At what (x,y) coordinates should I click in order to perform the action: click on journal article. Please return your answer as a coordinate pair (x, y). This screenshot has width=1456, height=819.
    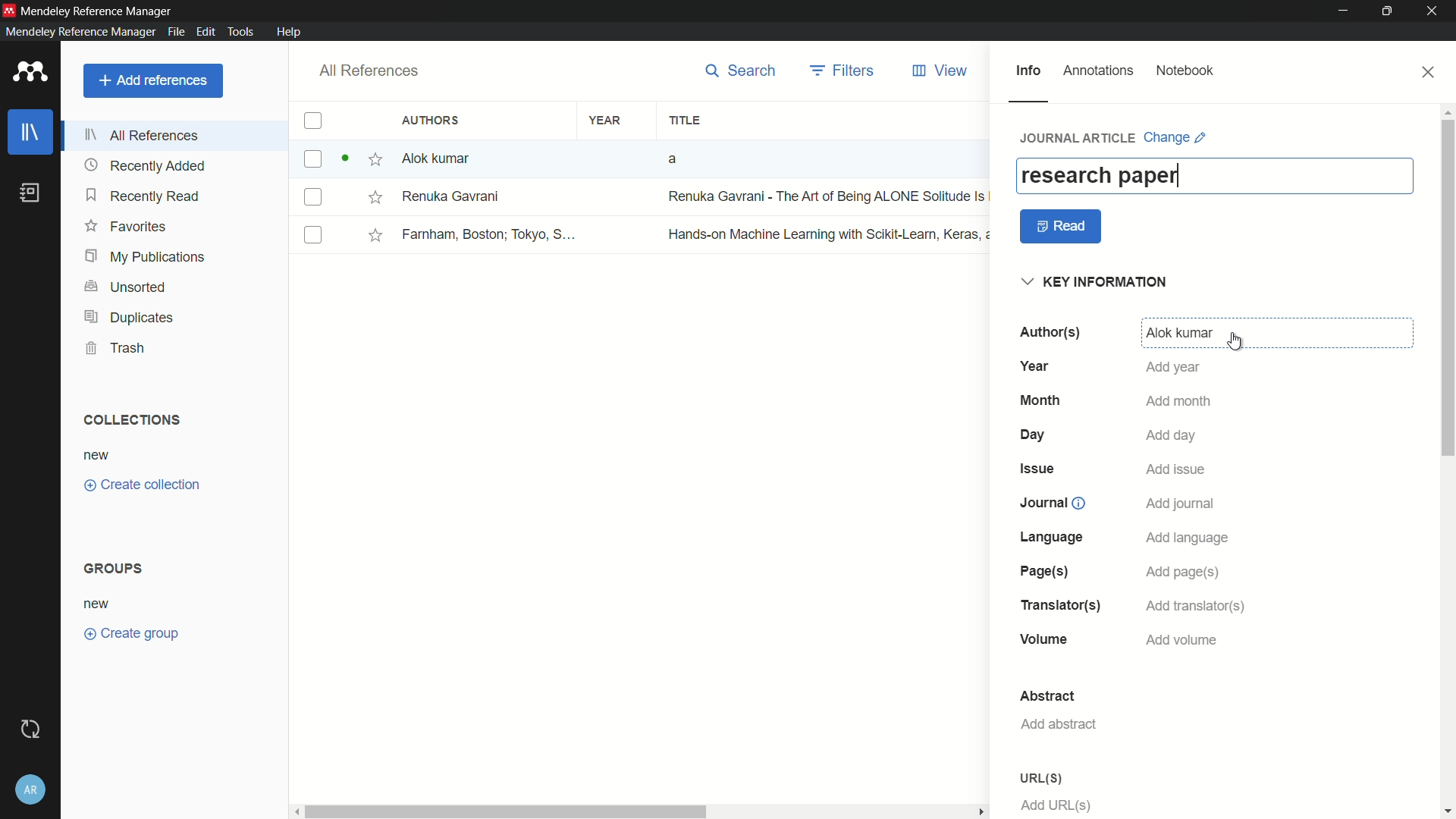
    Looking at the image, I should click on (1079, 137).